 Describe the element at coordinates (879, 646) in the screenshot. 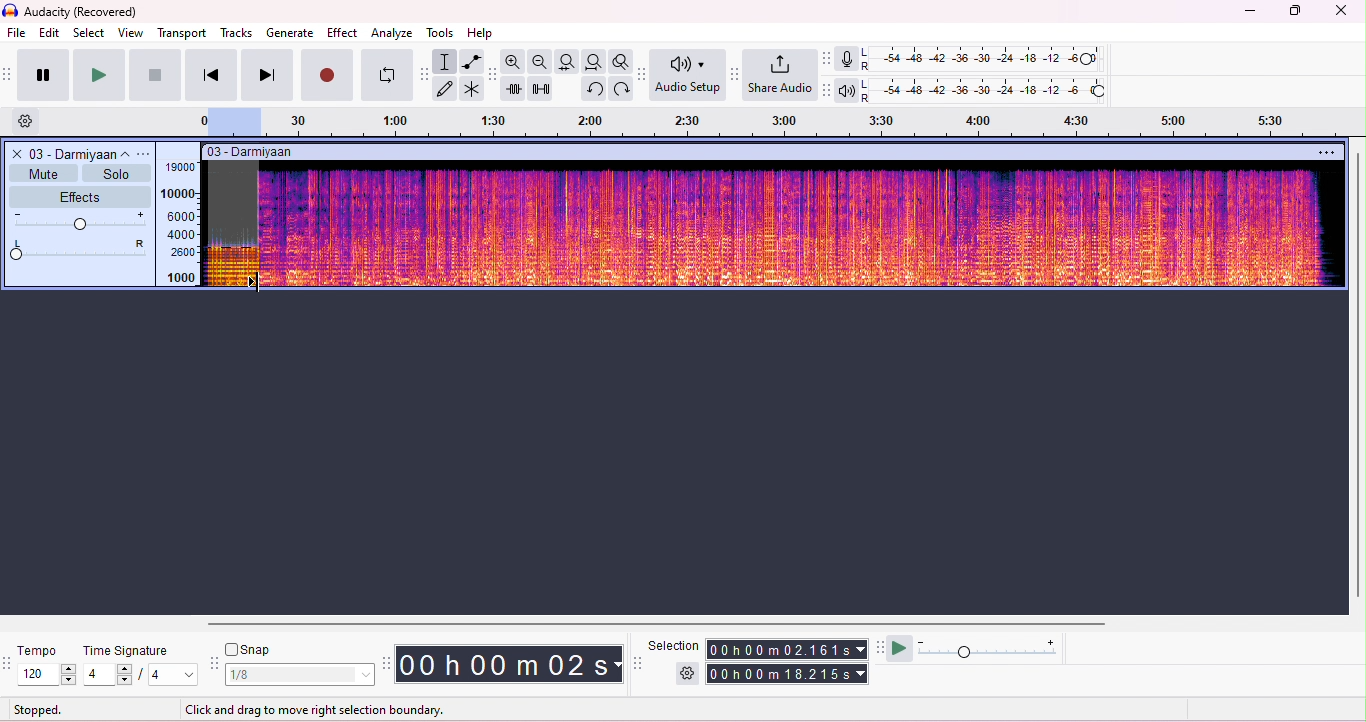

I see `play at speed tool bar` at that location.